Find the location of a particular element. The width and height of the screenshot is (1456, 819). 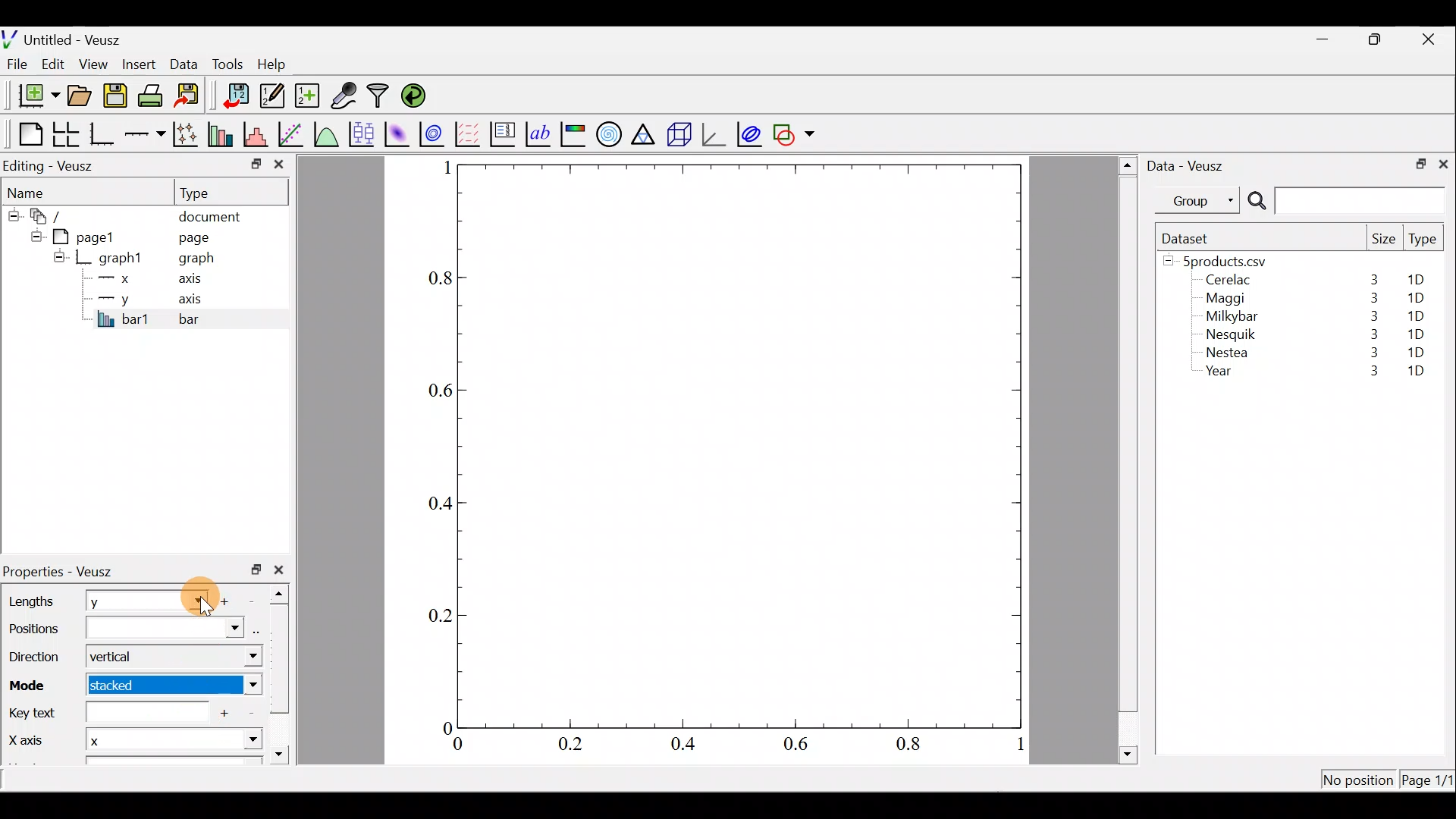

pagel is located at coordinates (90, 235).